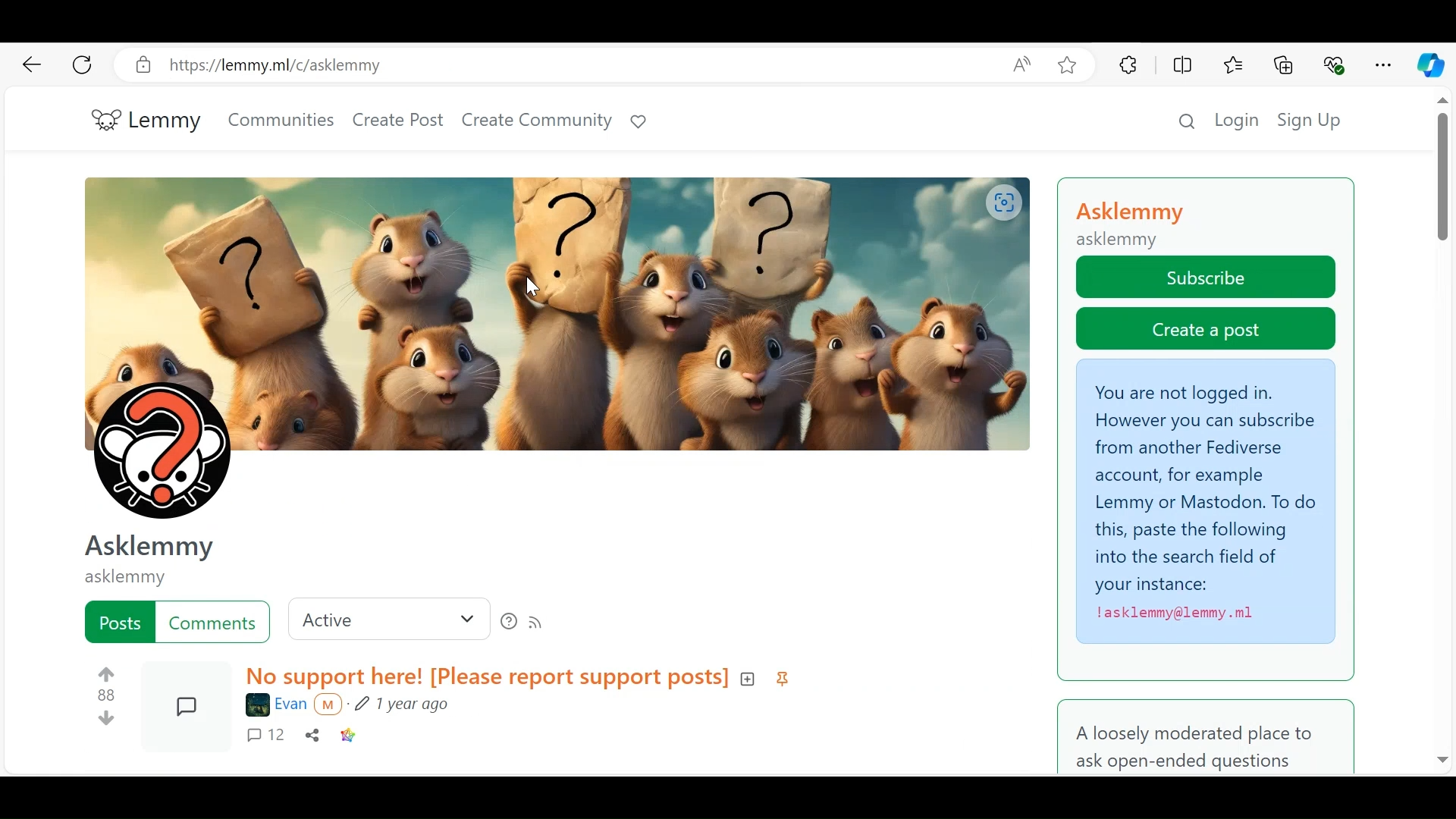 Image resolution: width=1456 pixels, height=819 pixels. What do you see at coordinates (134, 66) in the screenshot?
I see `Refresh` at bounding box center [134, 66].